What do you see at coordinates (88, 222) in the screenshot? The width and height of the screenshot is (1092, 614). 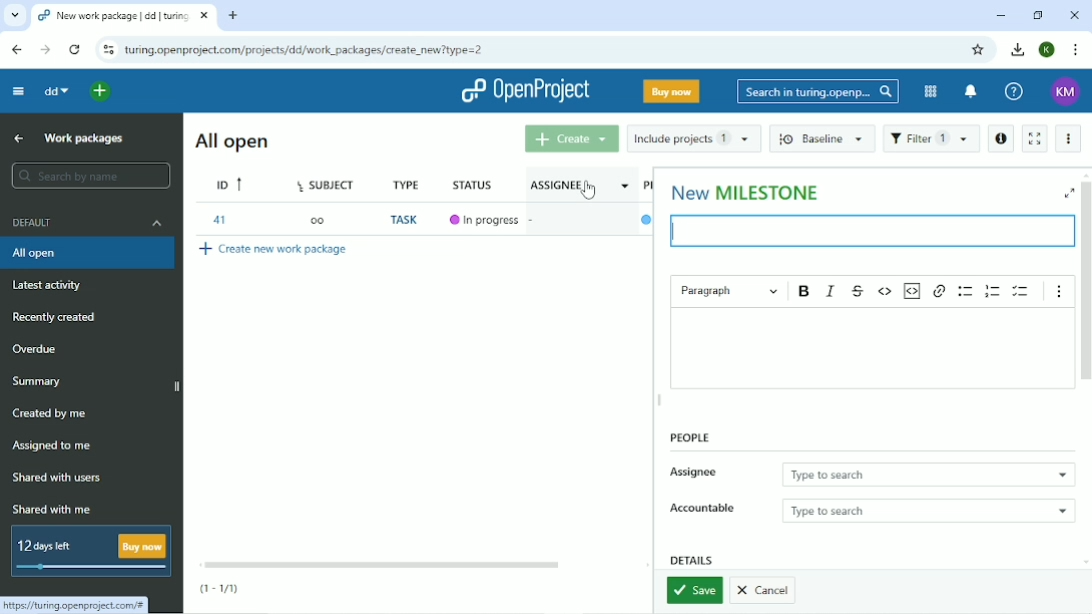 I see `Default` at bounding box center [88, 222].